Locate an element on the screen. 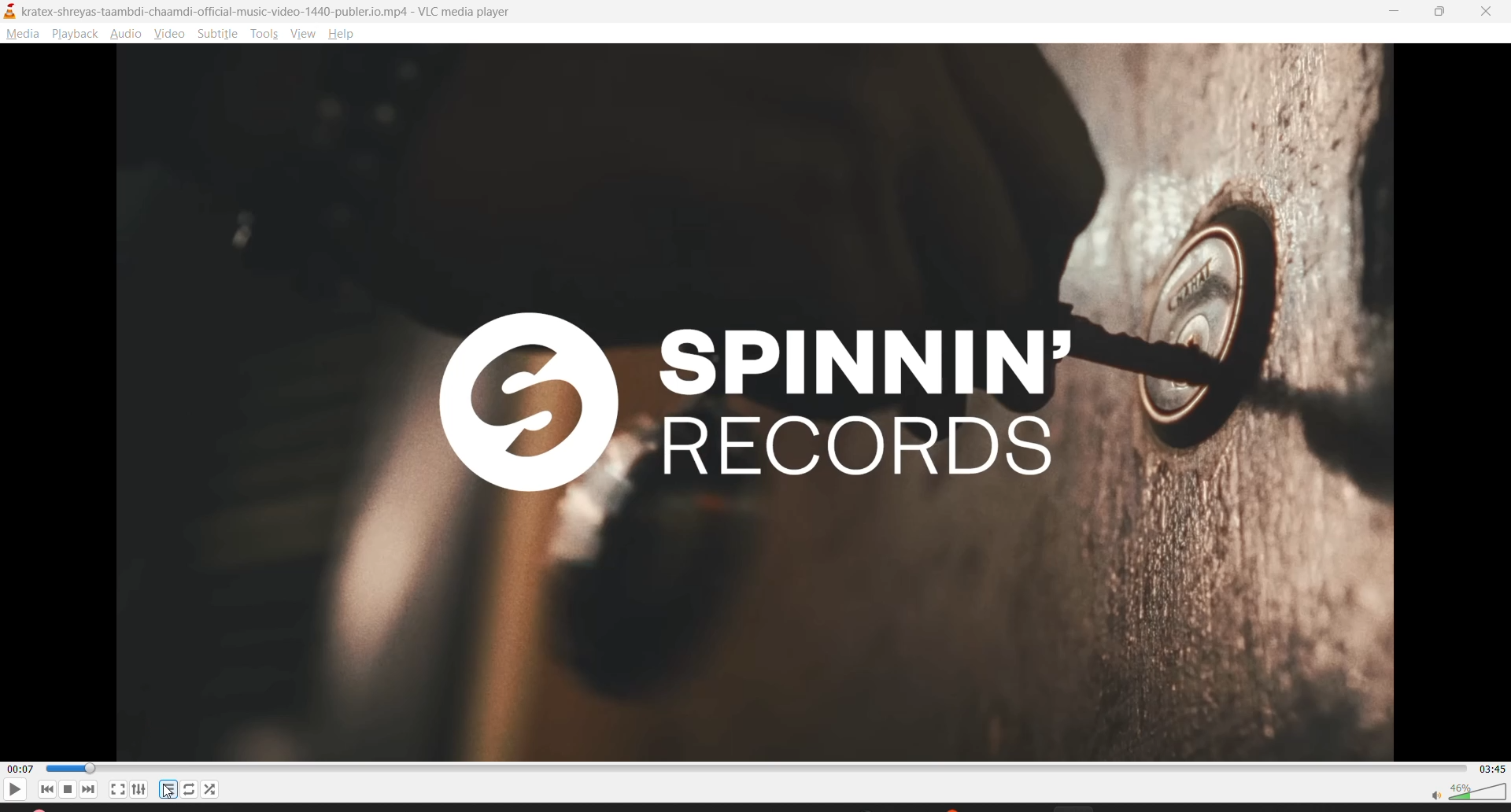 The width and height of the screenshot is (1511, 812). video is located at coordinates (171, 35).